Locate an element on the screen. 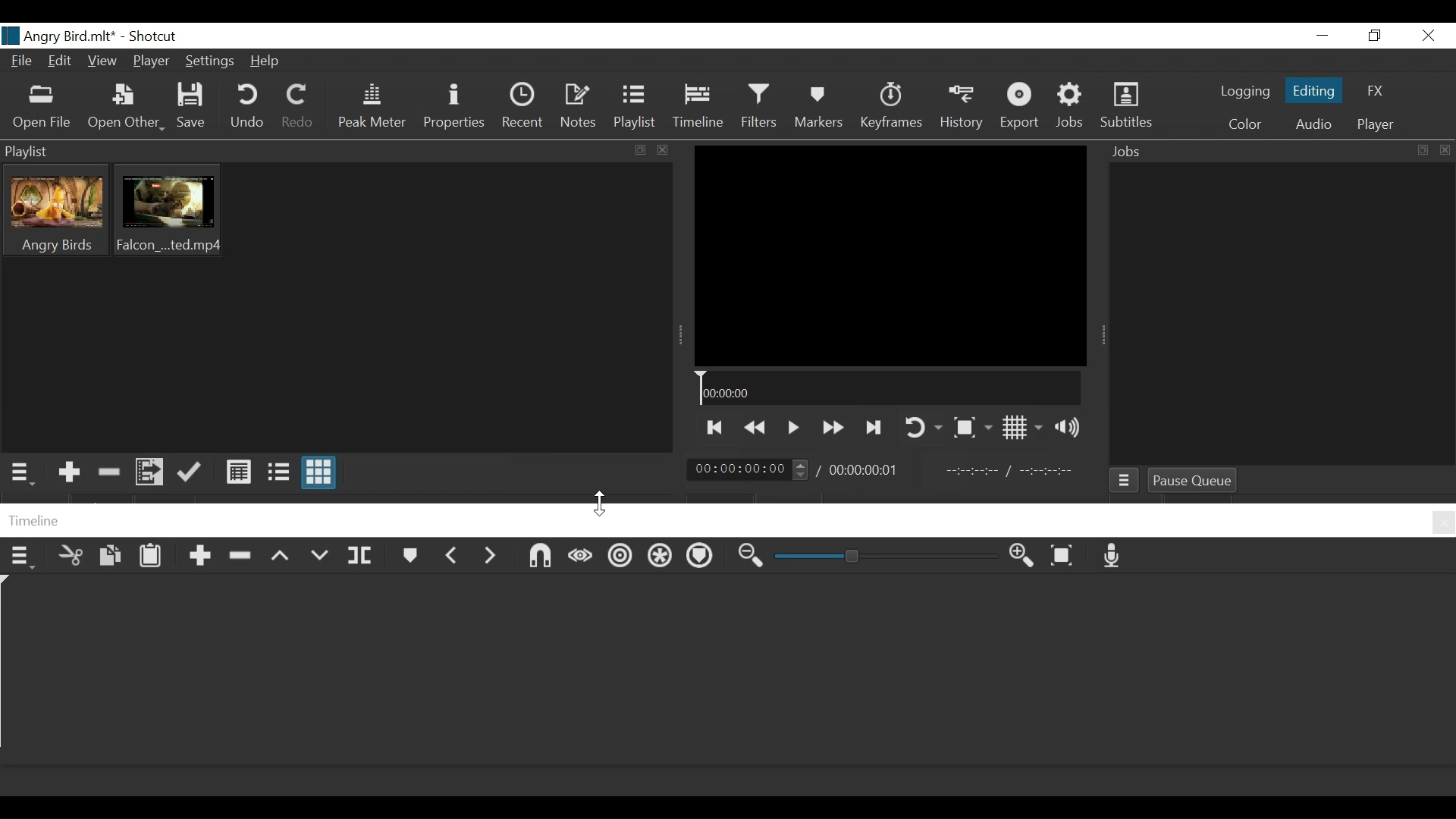  Update is located at coordinates (190, 472).